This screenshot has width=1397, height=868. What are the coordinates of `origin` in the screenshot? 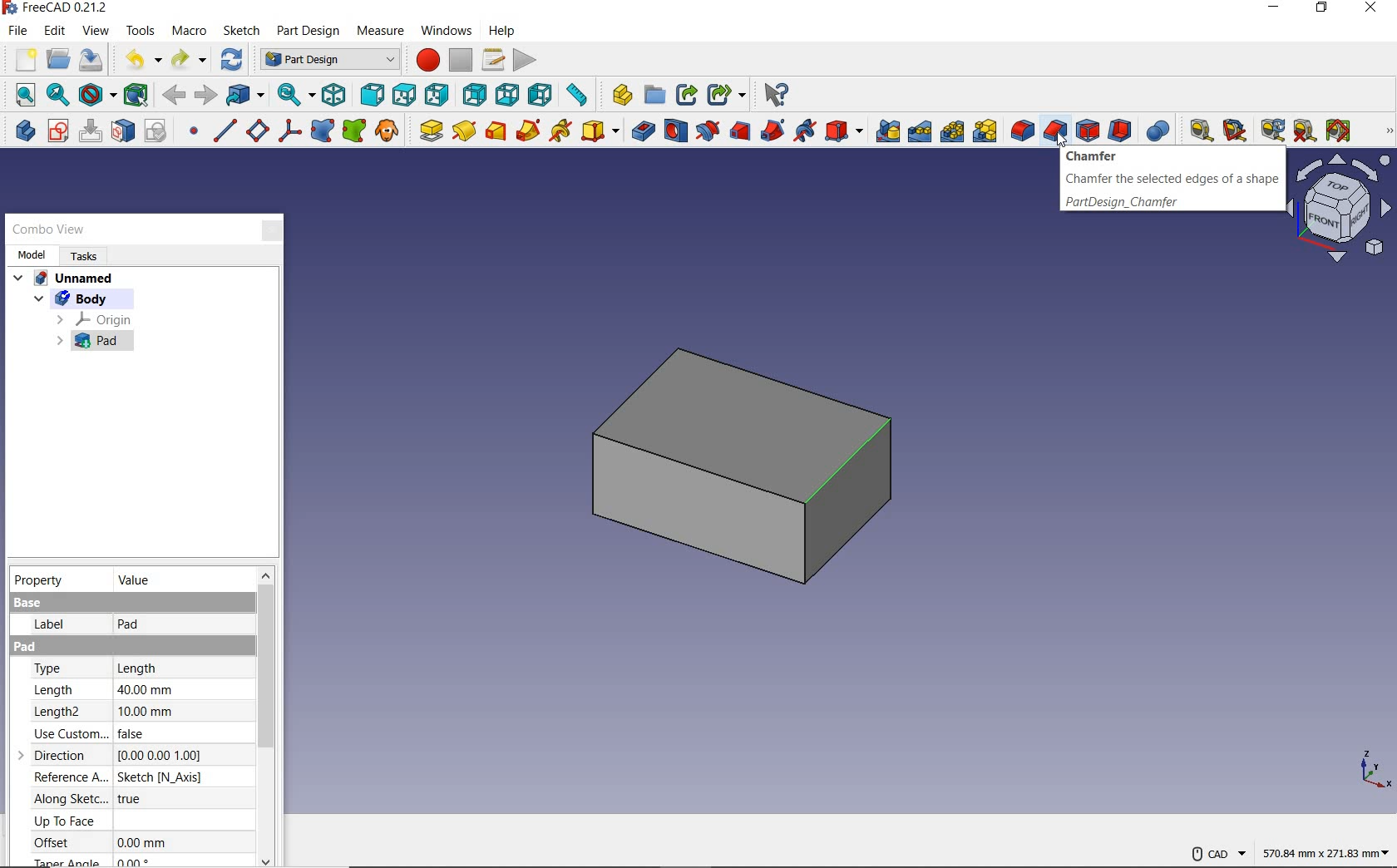 It's located at (95, 318).